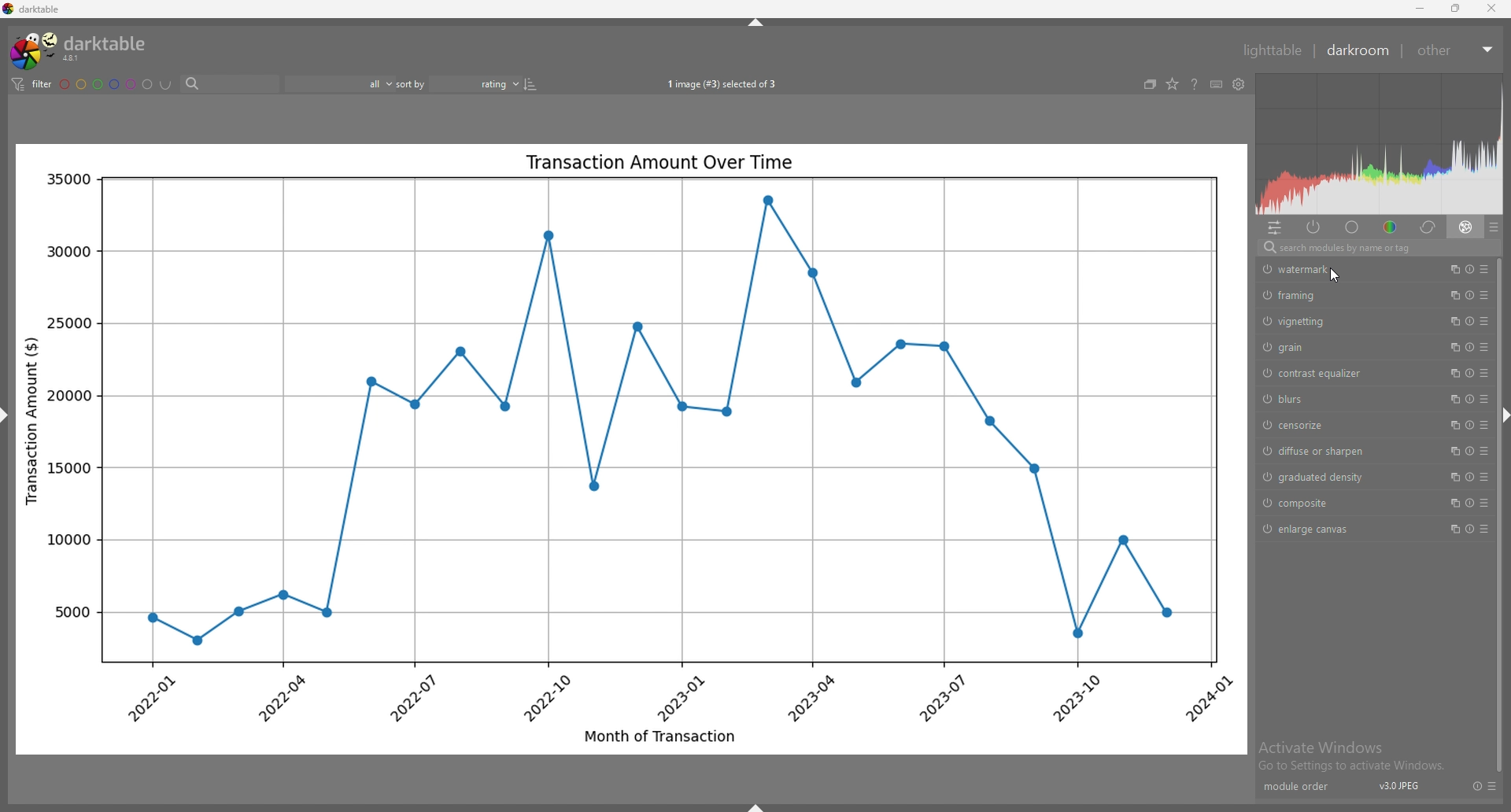  What do you see at coordinates (1342, 347) in the screenshot?
I see `grain` at bounding box center [1342, 347].